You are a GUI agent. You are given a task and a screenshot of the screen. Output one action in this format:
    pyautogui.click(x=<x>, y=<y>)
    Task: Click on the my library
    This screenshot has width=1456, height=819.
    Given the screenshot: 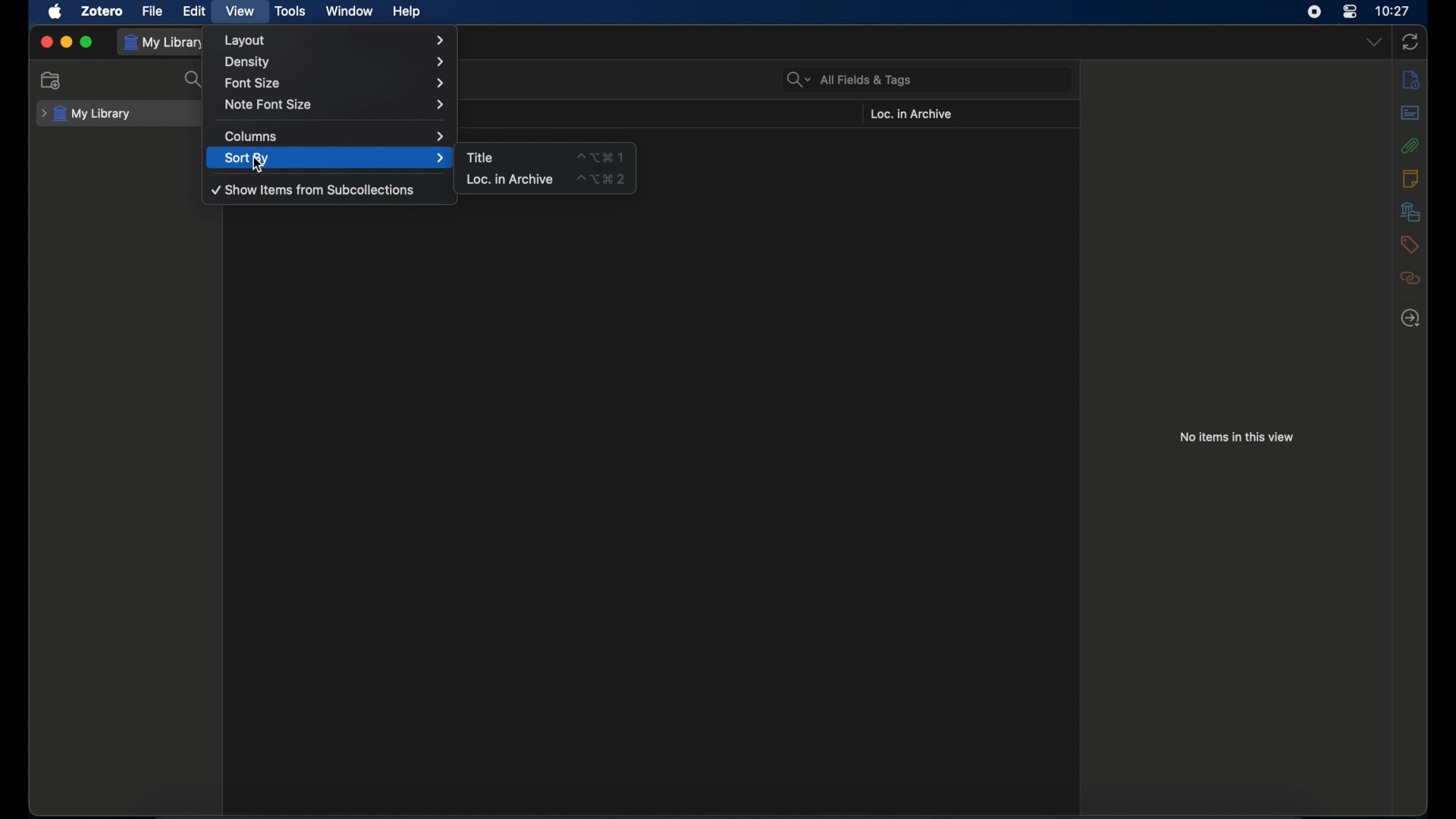 What is the action you would take?
    pyautogui.click(x=86, y=115)
    